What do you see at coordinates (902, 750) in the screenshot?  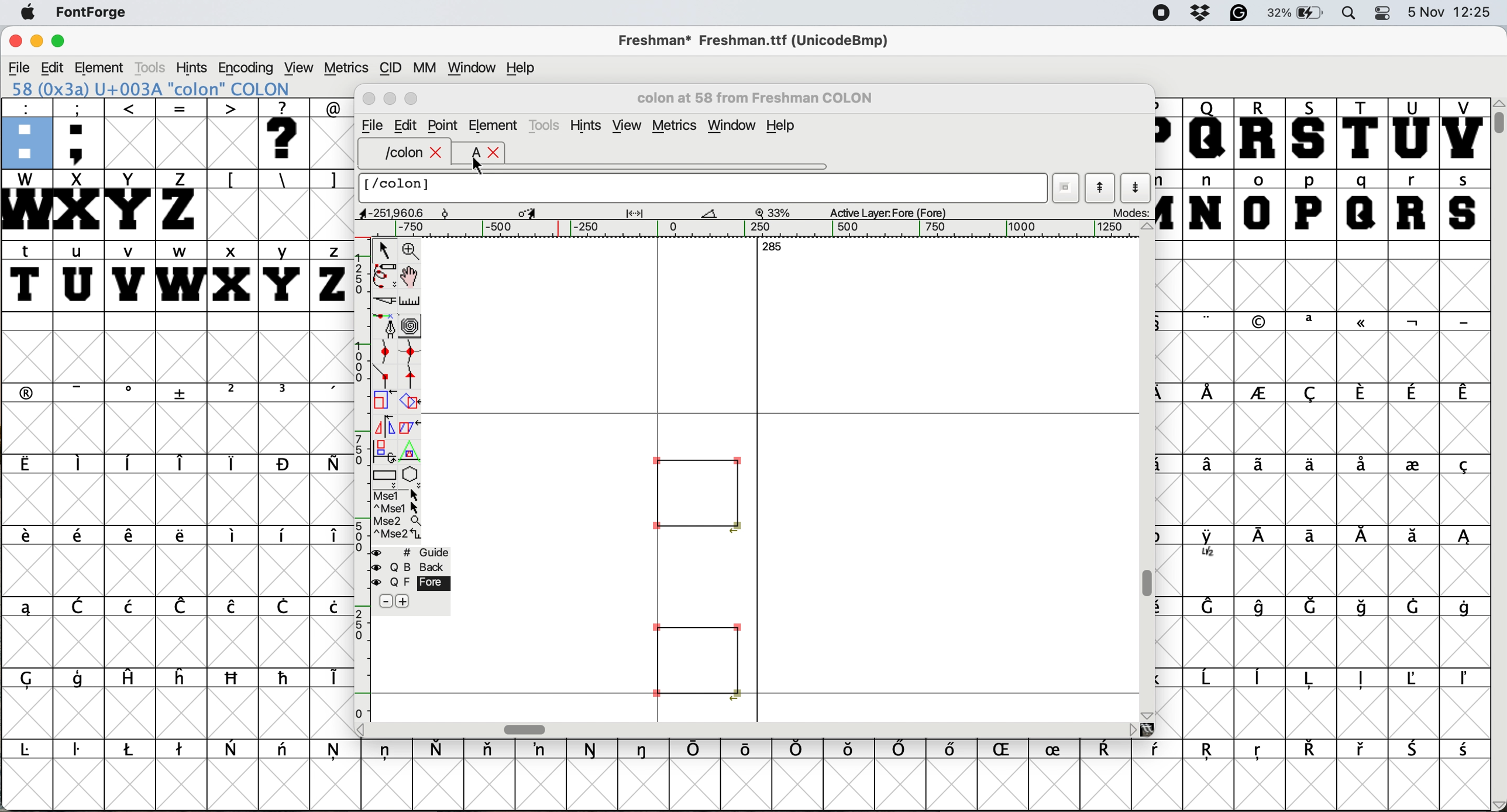 I see `symbol` at bounding box center [902, 750].